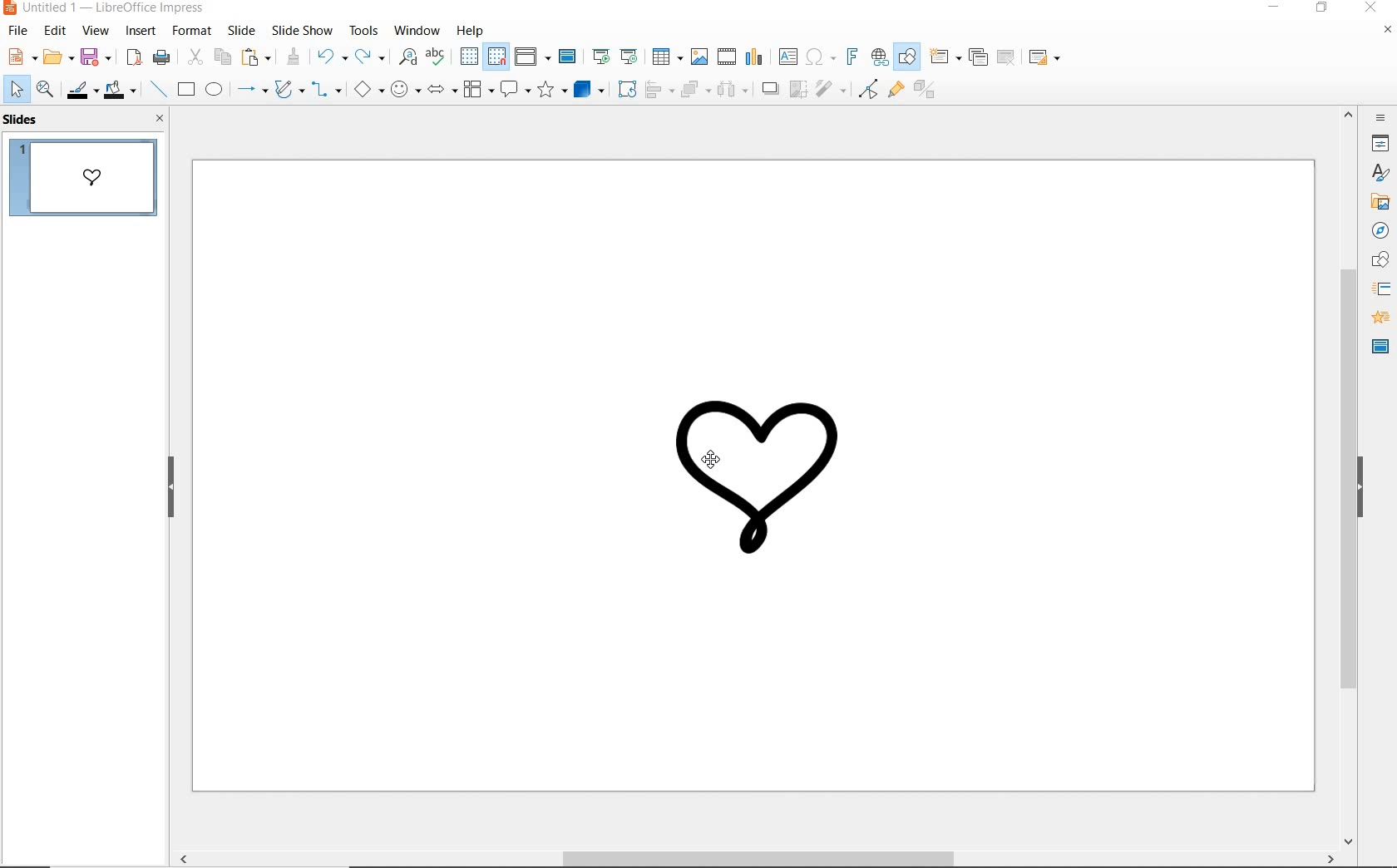 Image resolution: width=1397 pixels, height=868 pixels. Describe the element at coordinates (768, 485) in the screenshot. I see `Image` at that location.